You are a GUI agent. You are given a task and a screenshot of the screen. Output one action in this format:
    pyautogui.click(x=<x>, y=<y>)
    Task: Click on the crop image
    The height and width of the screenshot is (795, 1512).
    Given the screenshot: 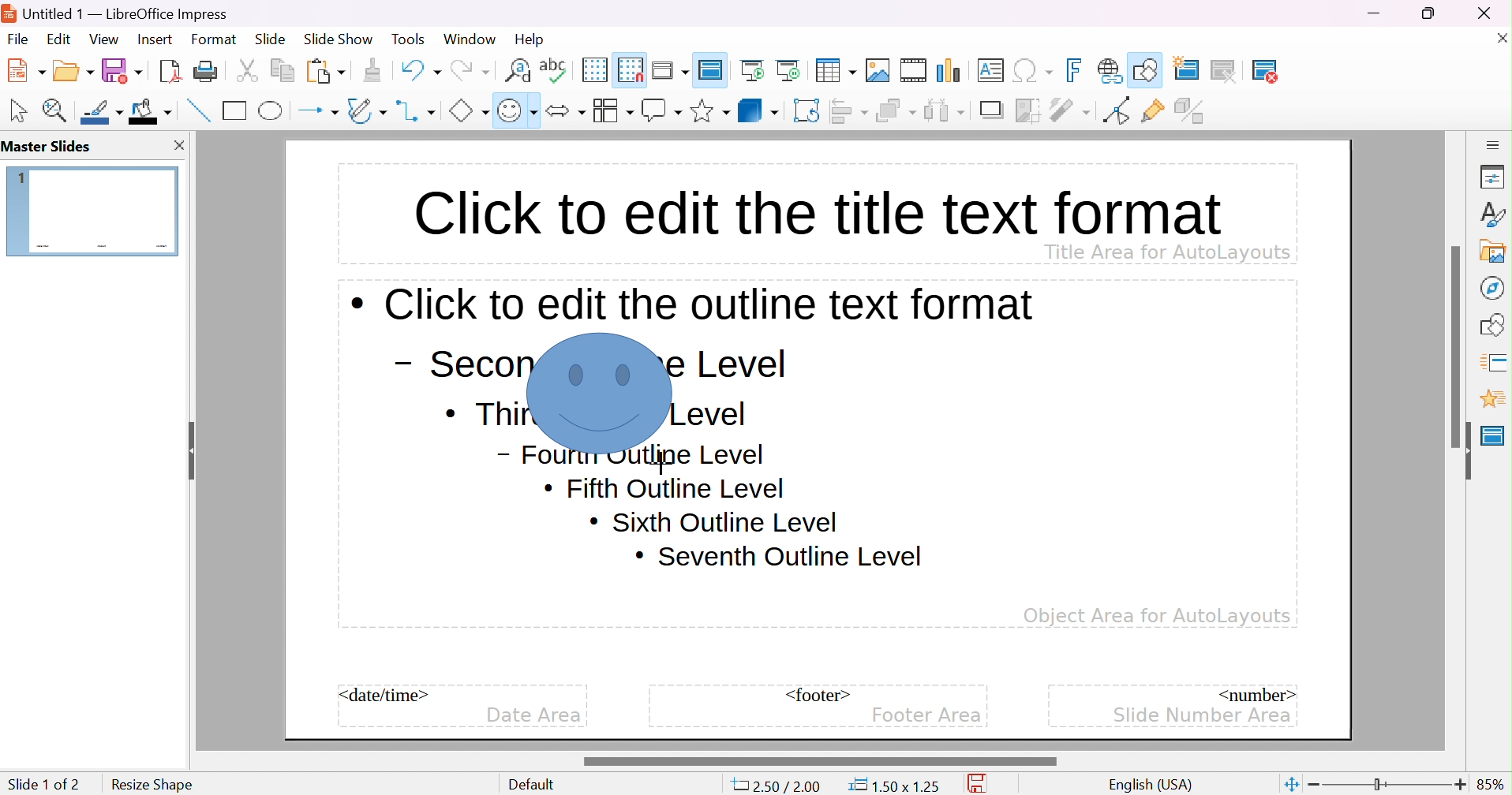 What is the action you would take?
    pyautogui.click(x=1029, y=110)
    